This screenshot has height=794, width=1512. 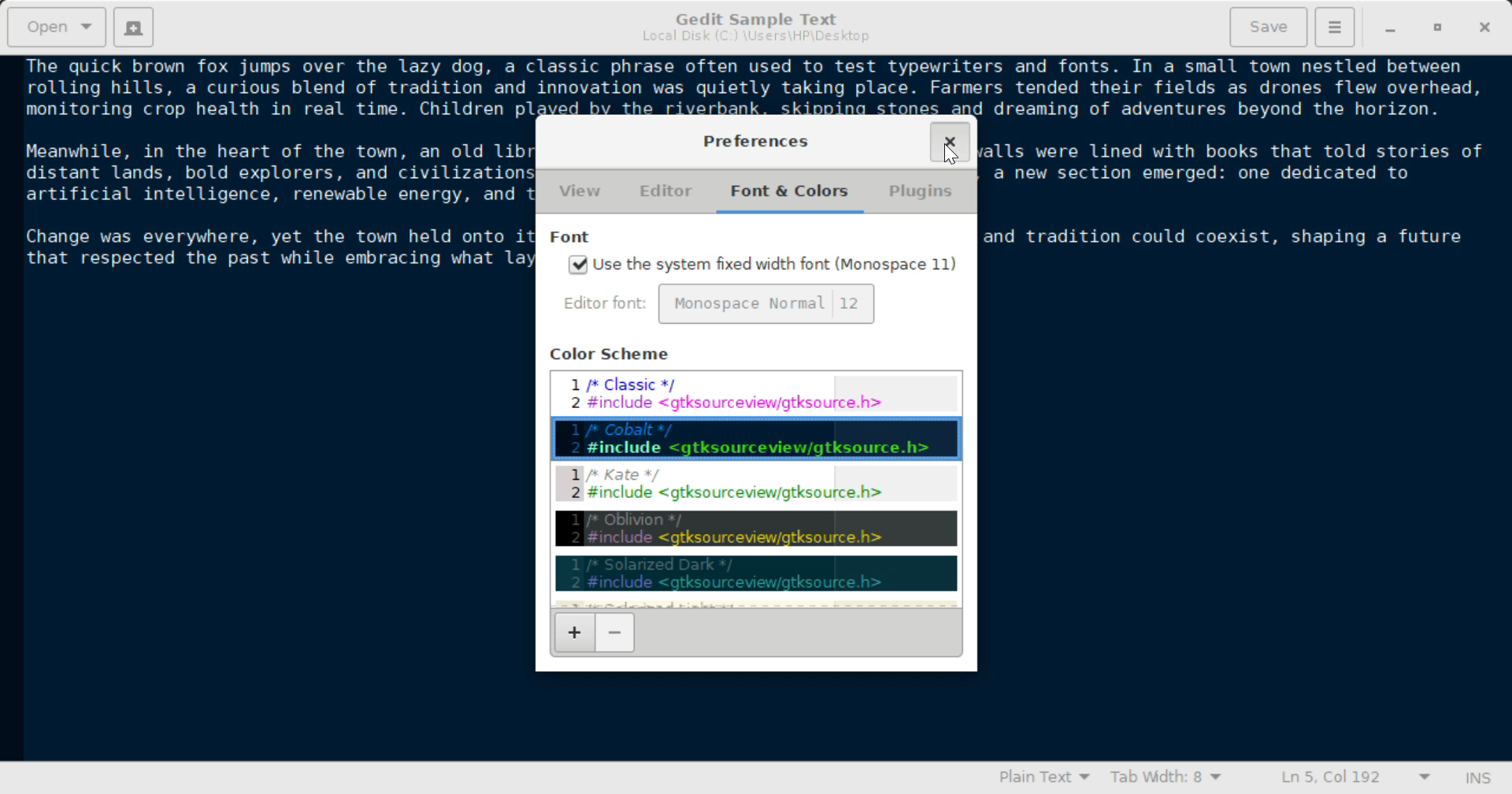 What do you see at coordinates (918, 194) in the screenshot?
I see `Plugins Tab` at bounding box center [918, 194].